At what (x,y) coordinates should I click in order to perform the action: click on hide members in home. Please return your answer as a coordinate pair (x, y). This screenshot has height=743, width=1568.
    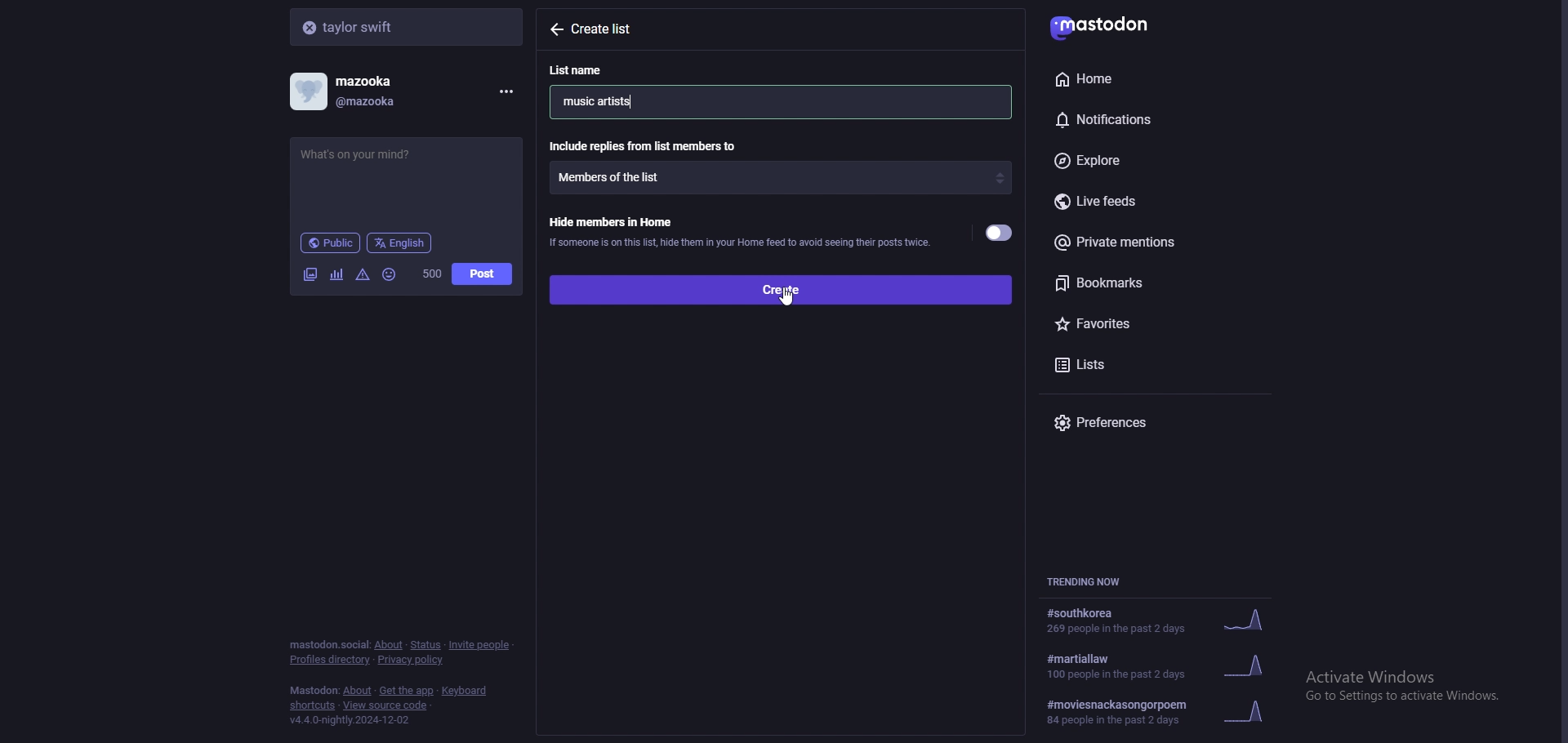
    Looking at the image, I should click on (739, 230).